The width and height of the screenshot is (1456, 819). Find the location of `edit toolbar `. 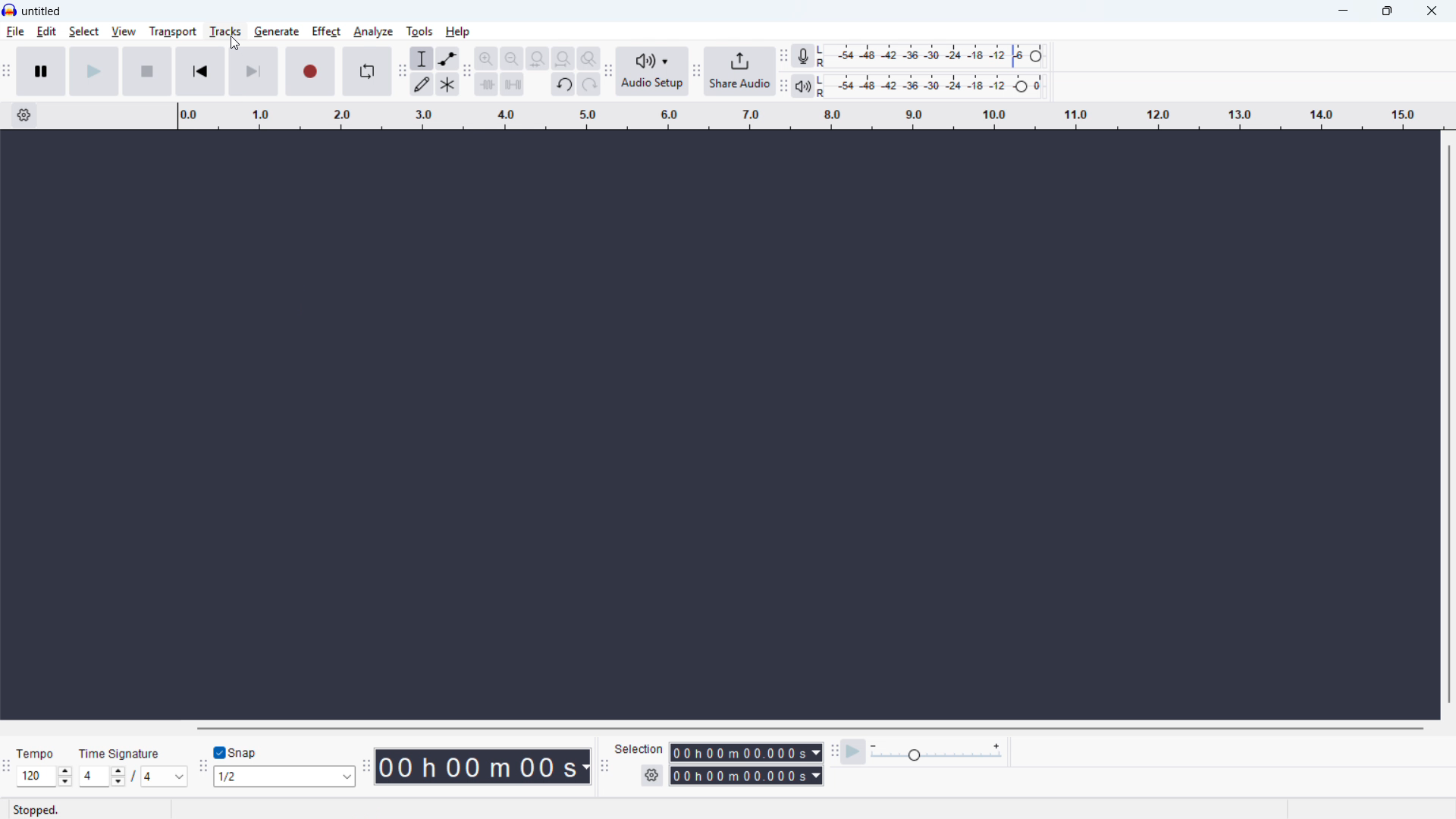

edit toolbar  is located at coordinates (468, 74).